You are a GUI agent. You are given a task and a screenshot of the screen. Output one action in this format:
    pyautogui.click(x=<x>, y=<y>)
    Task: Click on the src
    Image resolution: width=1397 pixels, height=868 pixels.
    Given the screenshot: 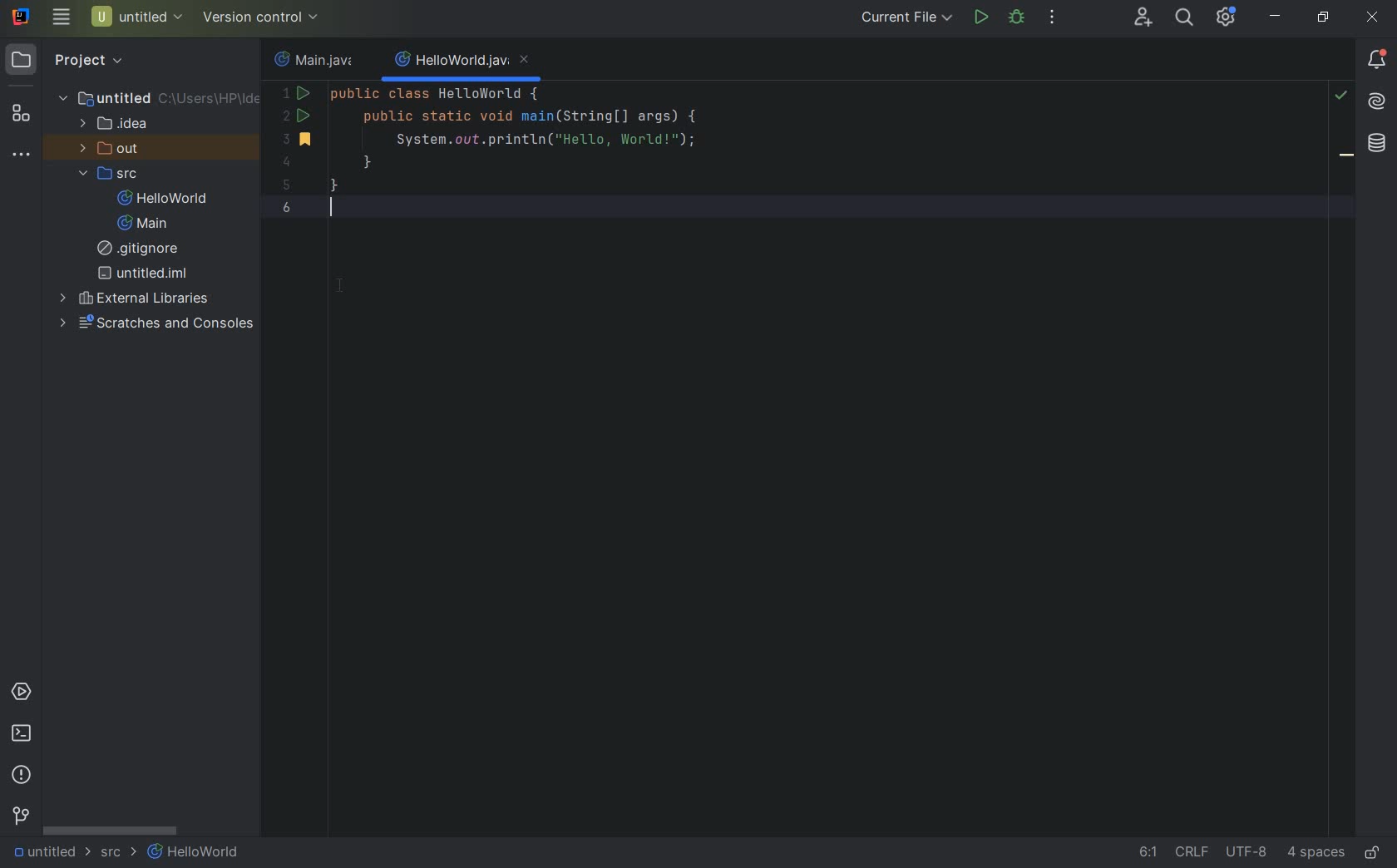 What is the action you would take?
    pyautogui.click(x=114, y=175)
    